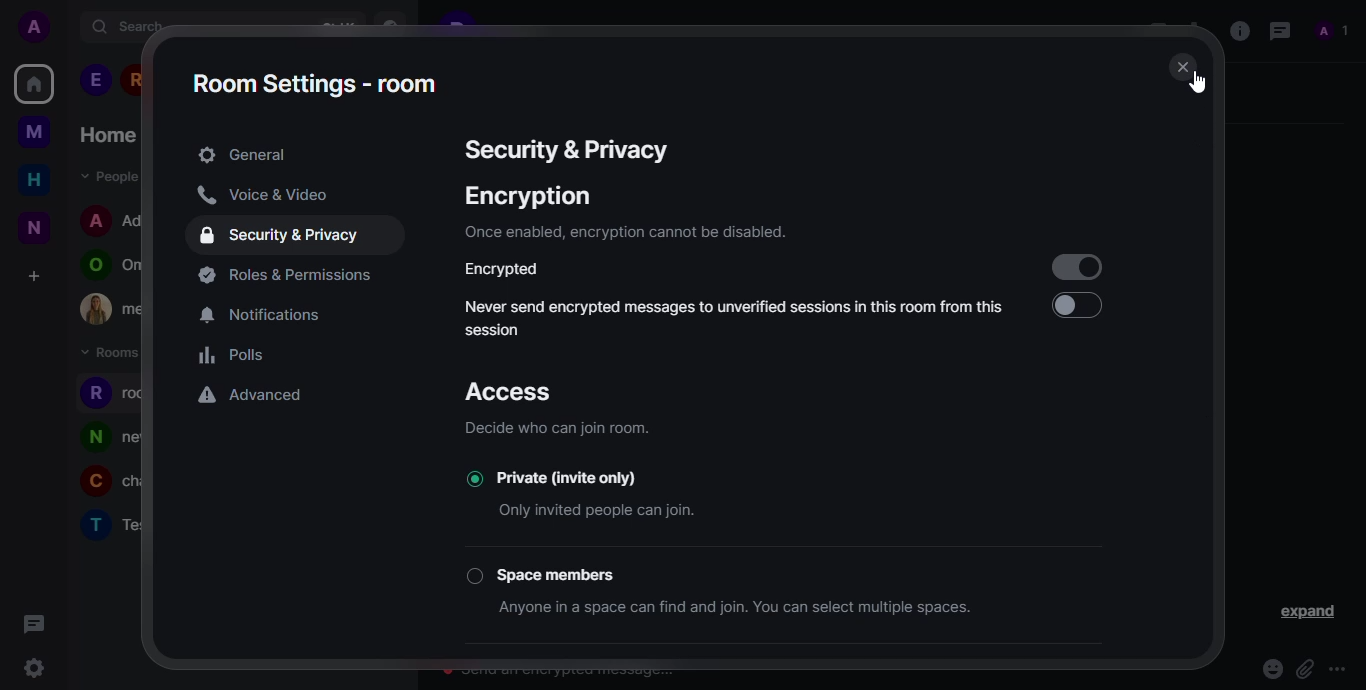 The image size is (1366, 690). Describe the element at coordinates (518, 393) in the screenshot. I see `access` at that location.